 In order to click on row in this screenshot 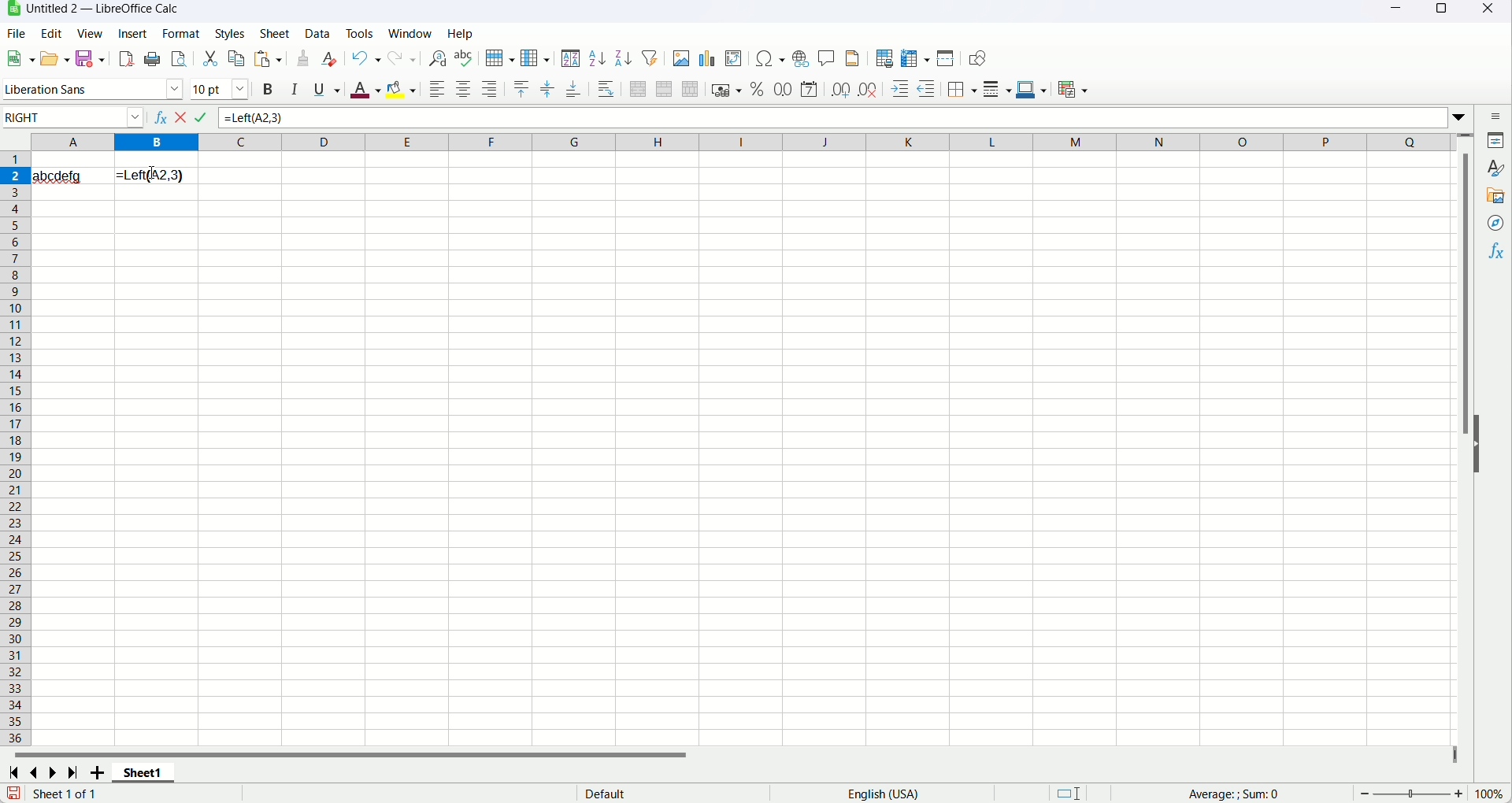, I will do `click(500, 59)`.